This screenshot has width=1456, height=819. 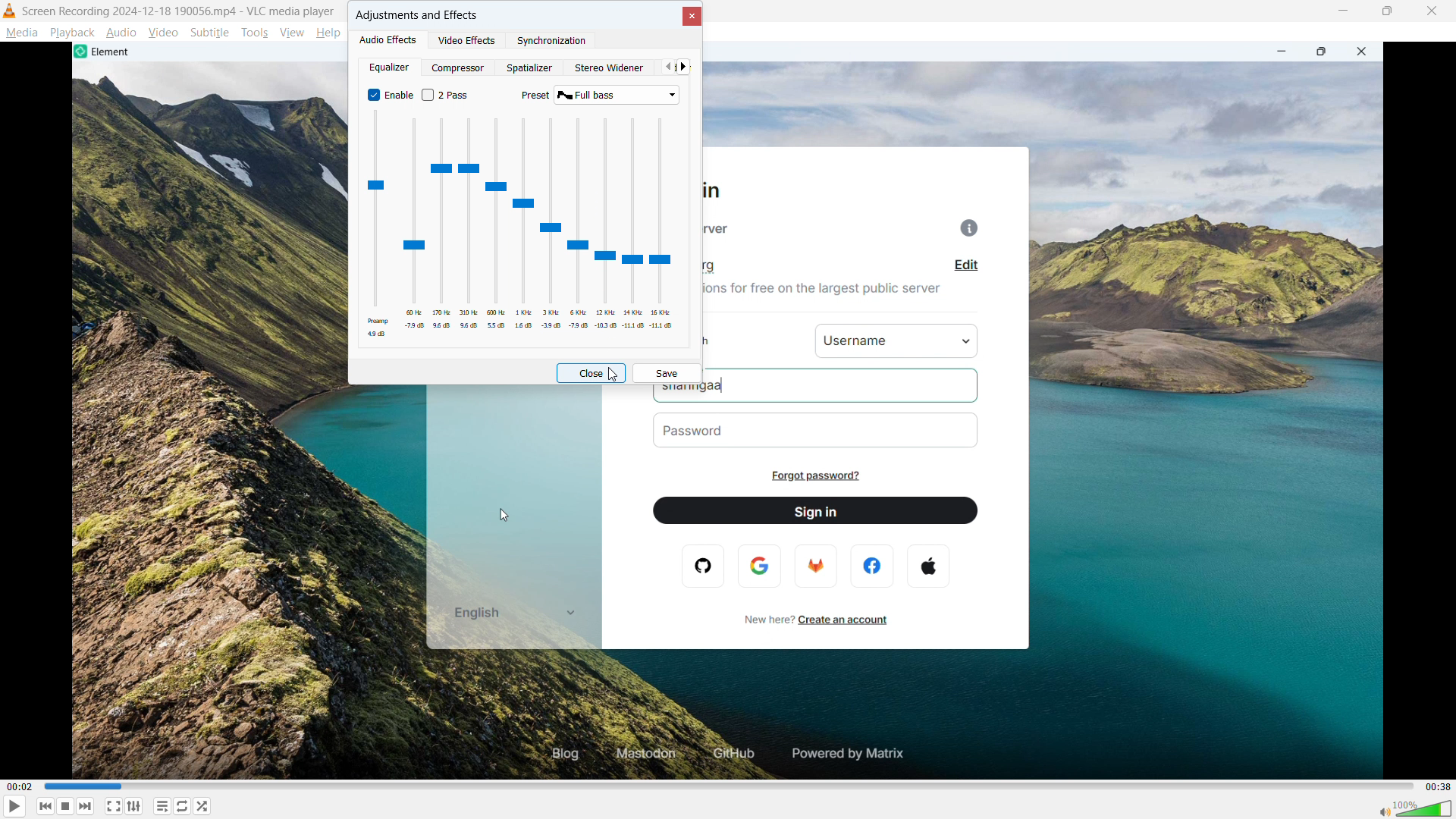 What do you see at coordinates (468, 39) in the screenshot?
I see `Video effects ` at bounding box center [468, 39].